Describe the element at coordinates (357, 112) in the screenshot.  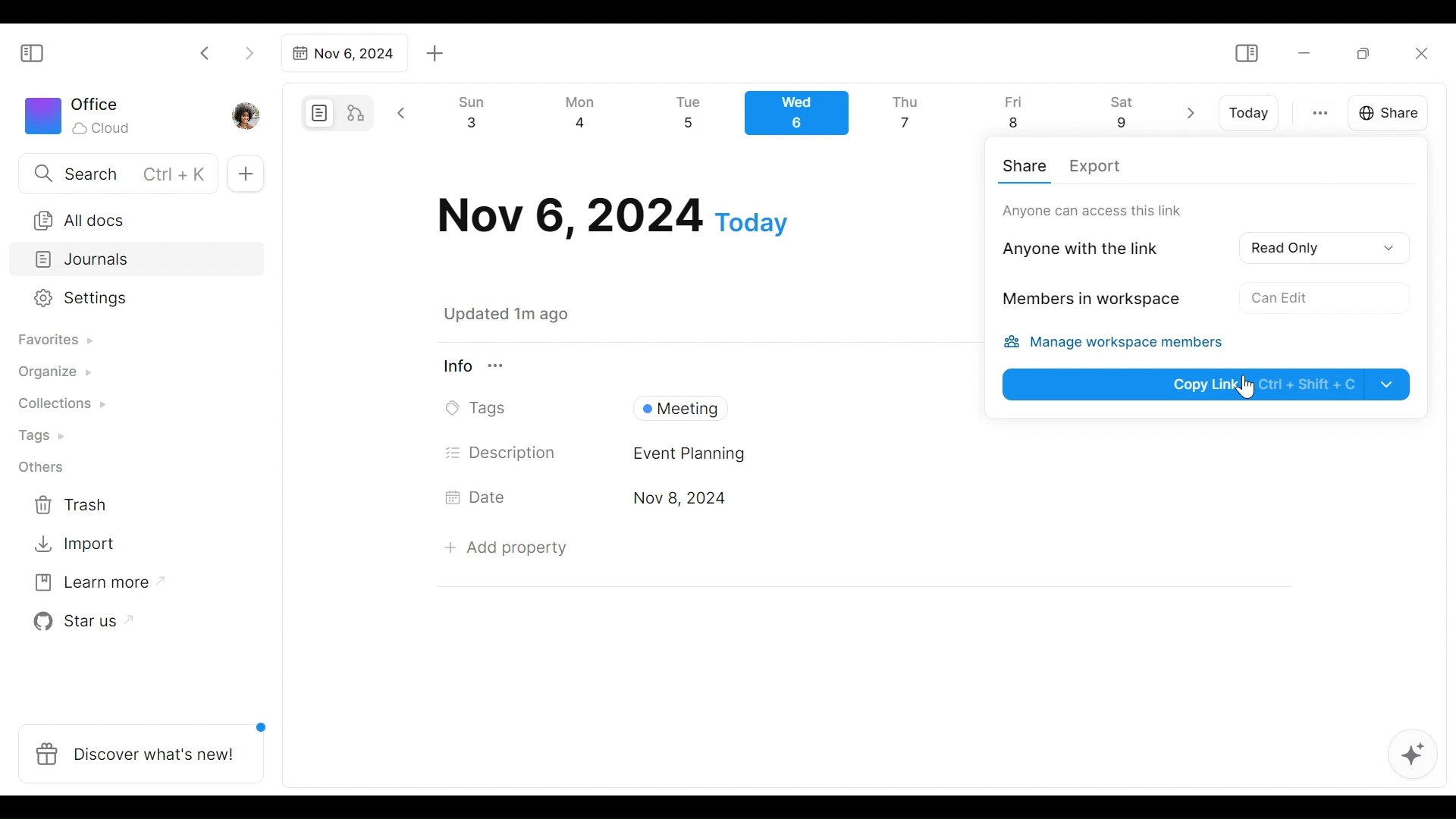
I see `Edgeless mode` at that location.